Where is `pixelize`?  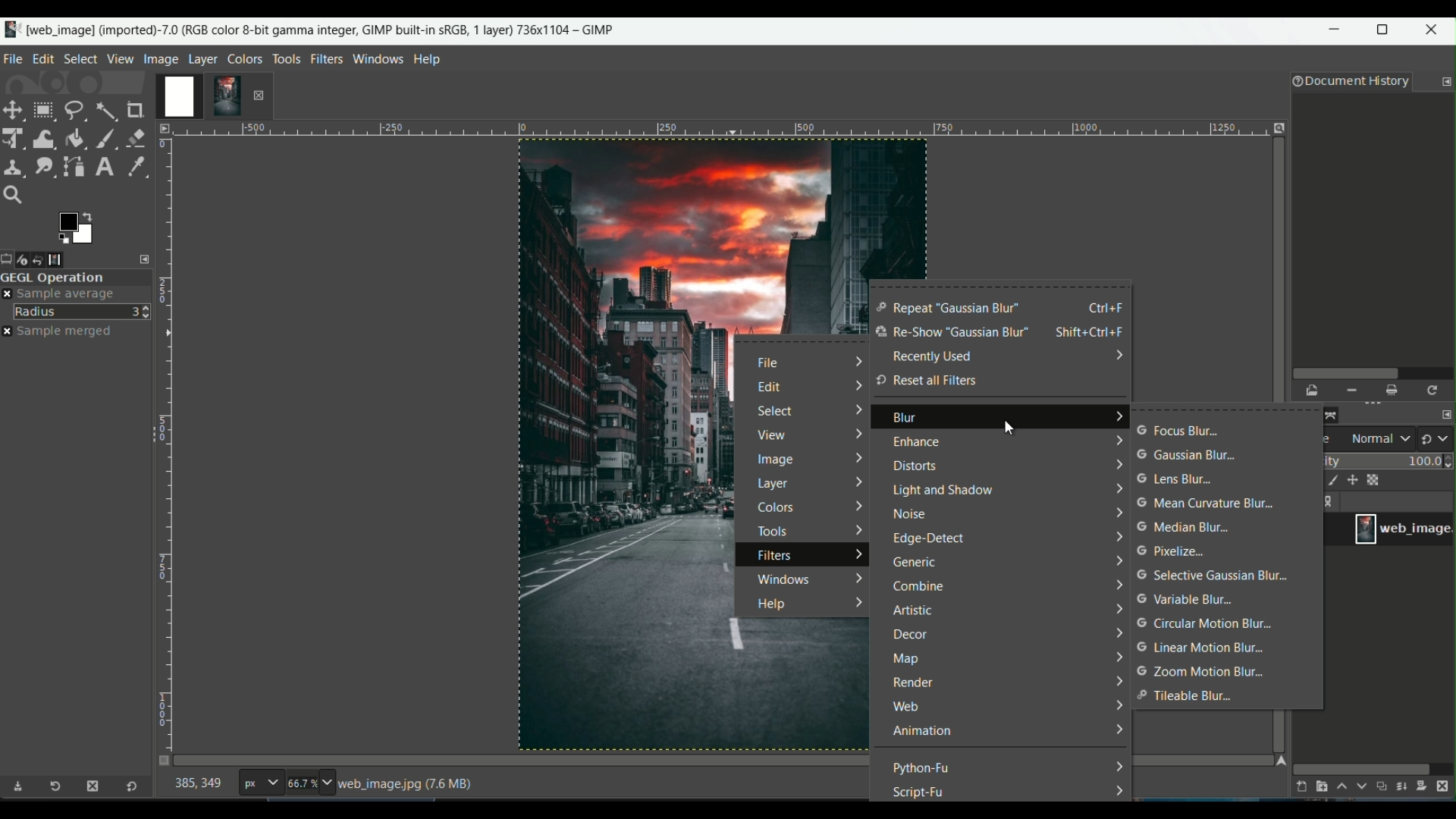
pixelize is located at coordinates (1178, 551).